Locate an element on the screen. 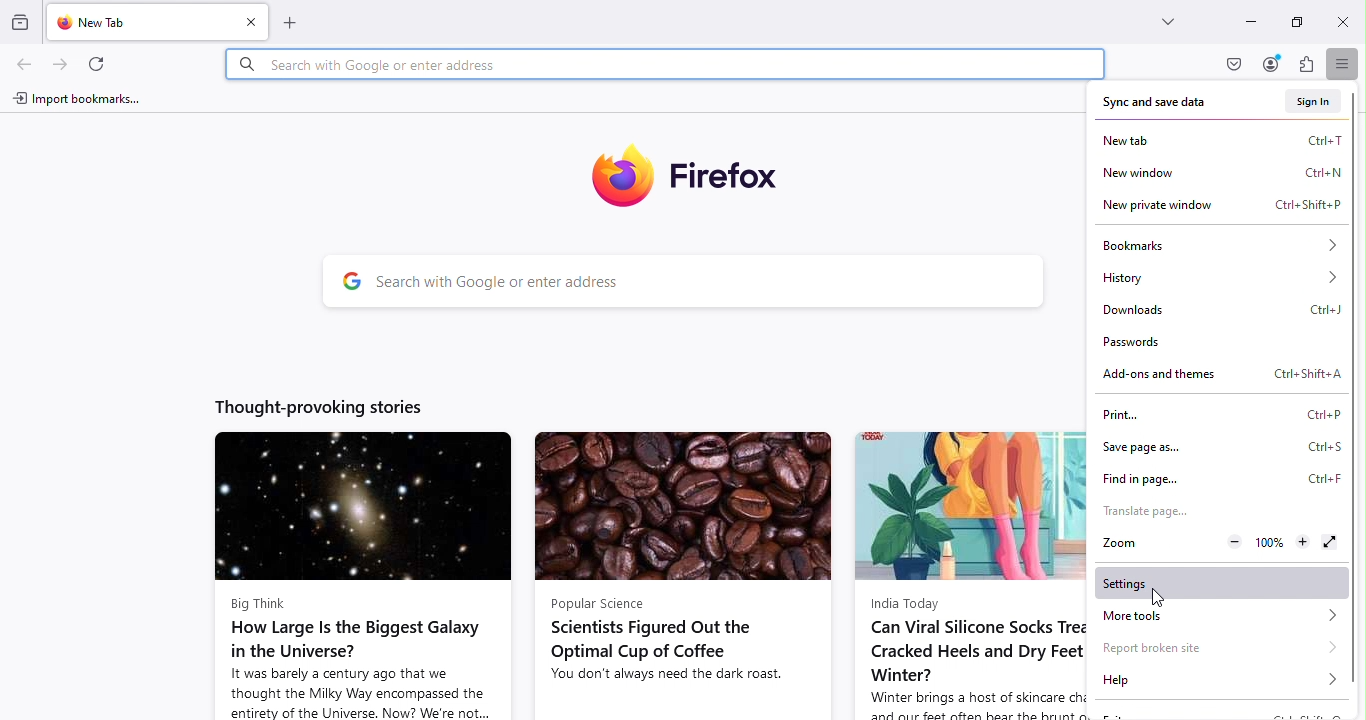  Save to pocket is located at coordinates (1228, 63).